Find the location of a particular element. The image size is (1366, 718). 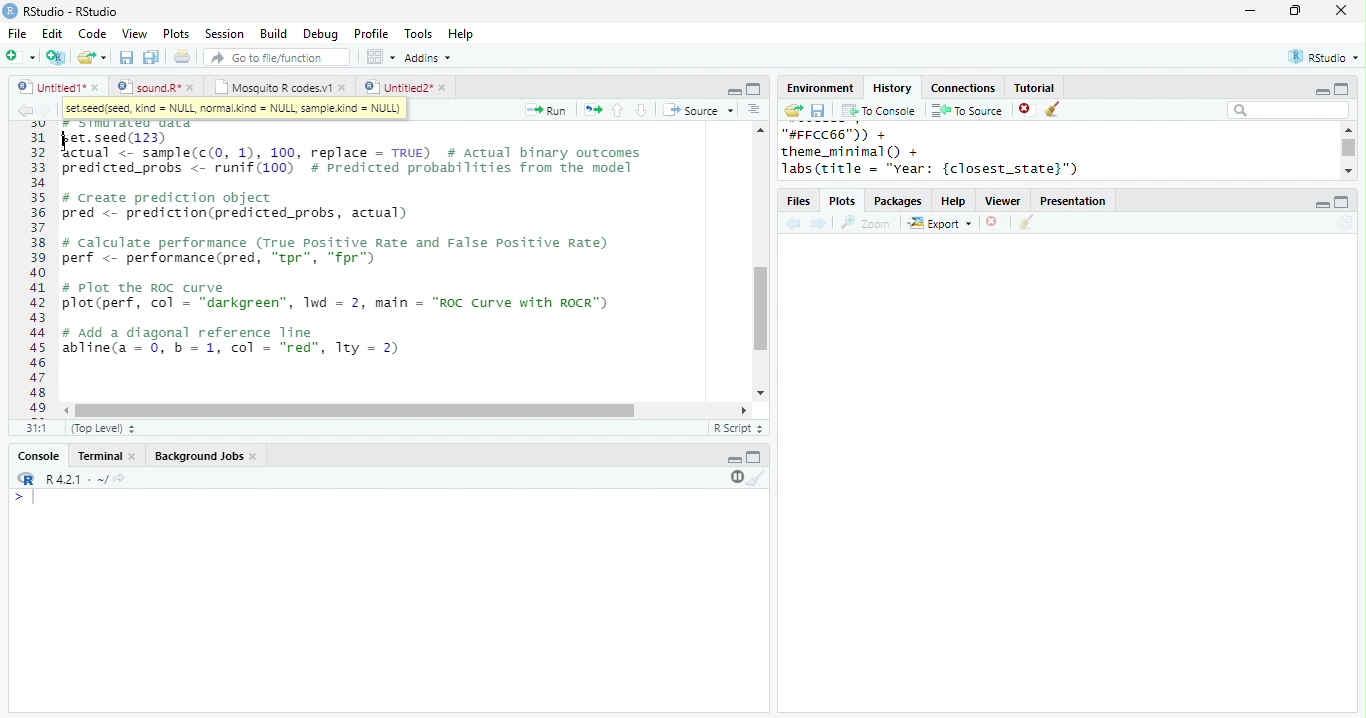

terminal is located at coordinates (97, 457).